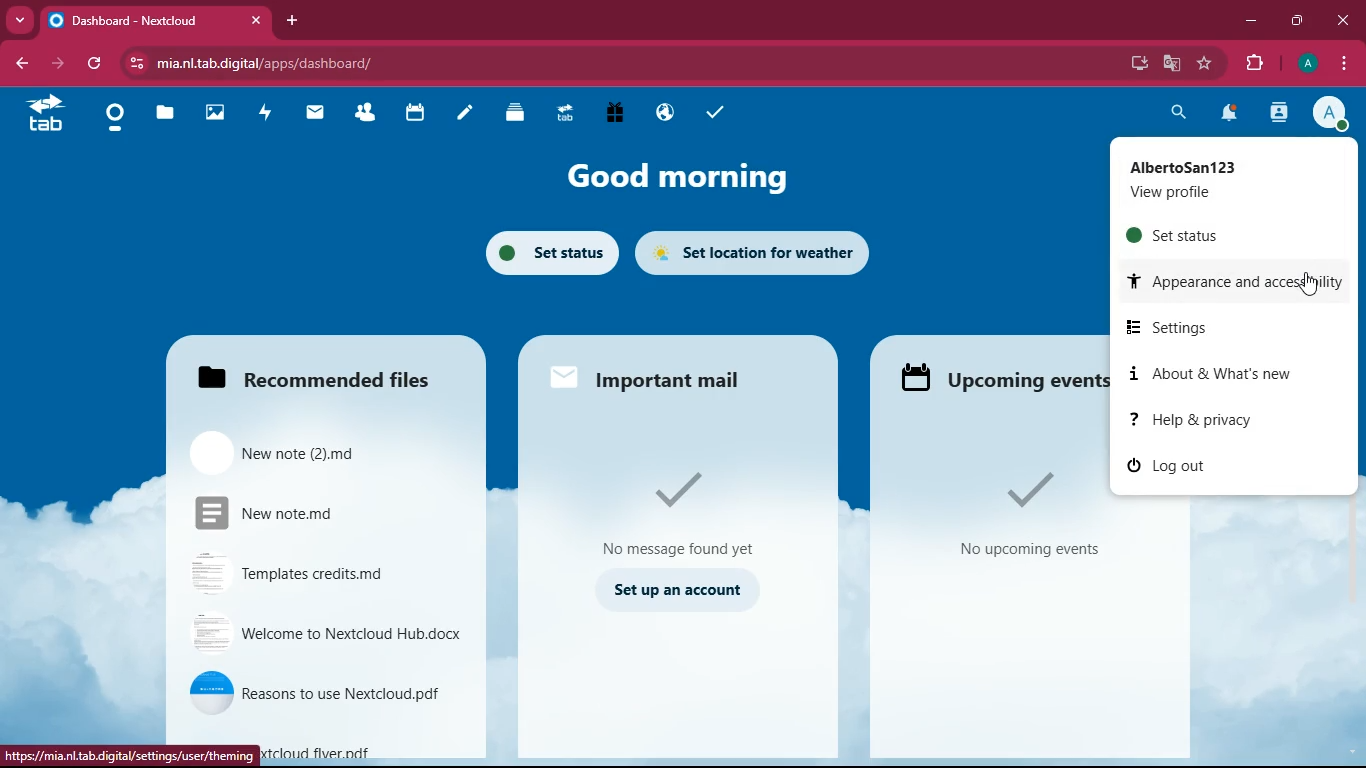 The image size is (1366, 768). What do you see at coordinates (691, 177) in the screenshot?
I see `good morning` at bounding box center [691, 177].